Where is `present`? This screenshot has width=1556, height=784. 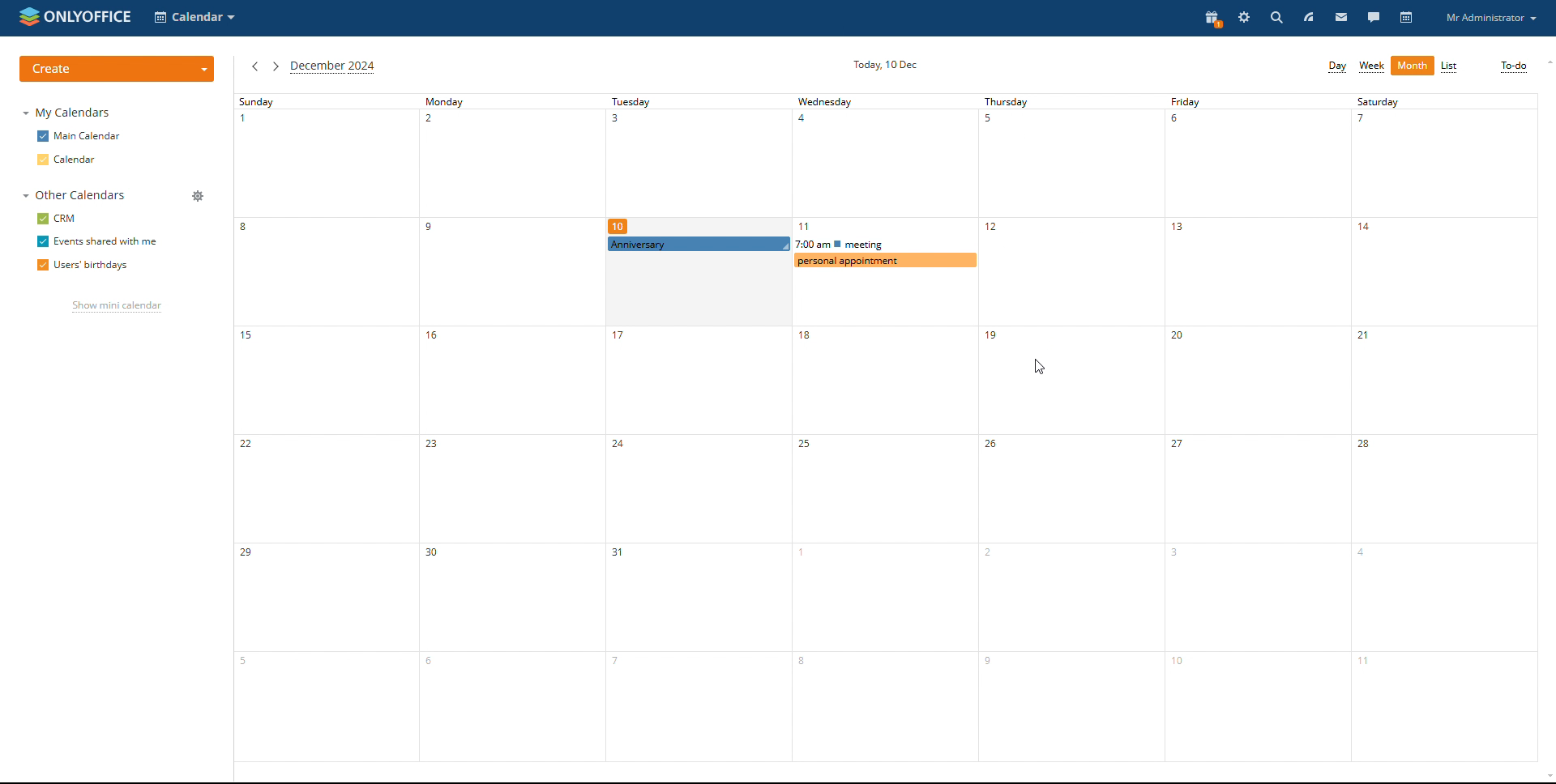
present is located at coordinates (1210, 19).